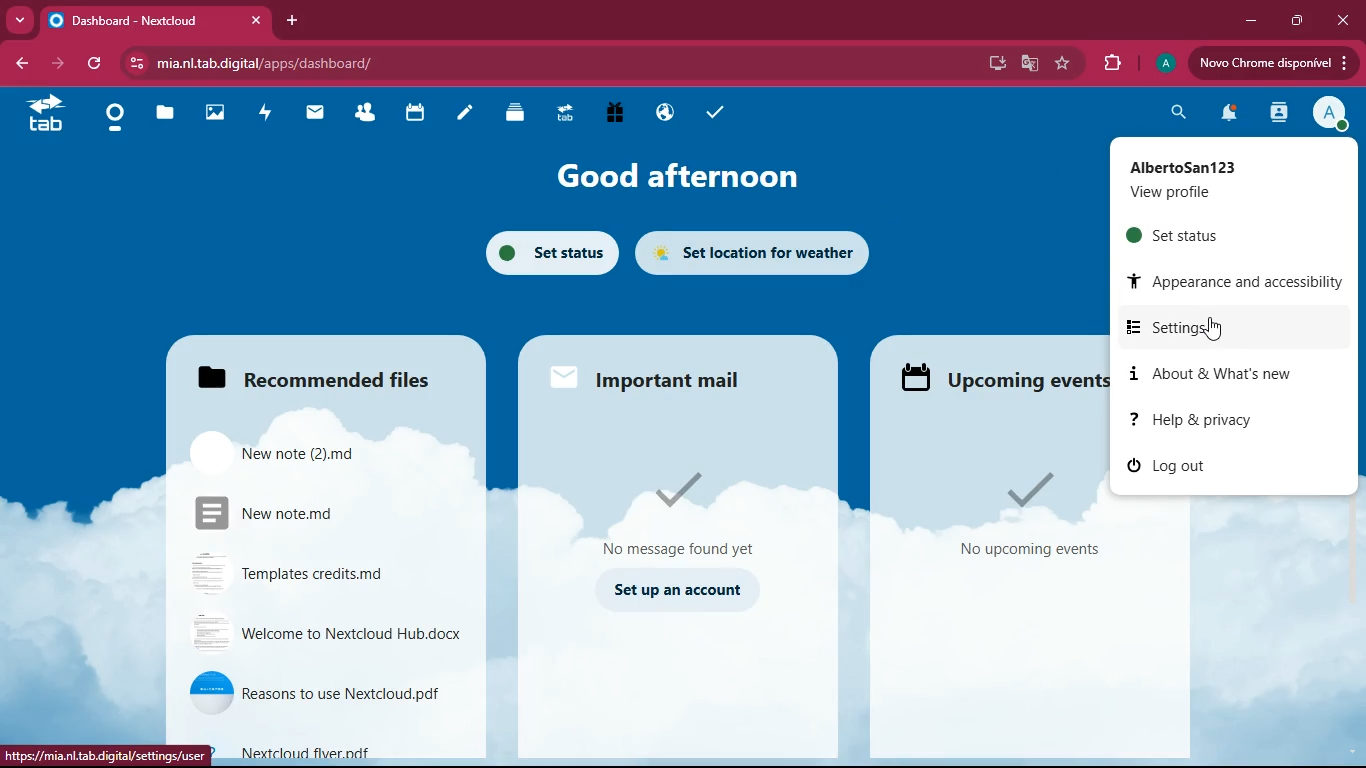  Describe the element at coordinates (1218, 235) in the screenshot. I see `set status` at that location.